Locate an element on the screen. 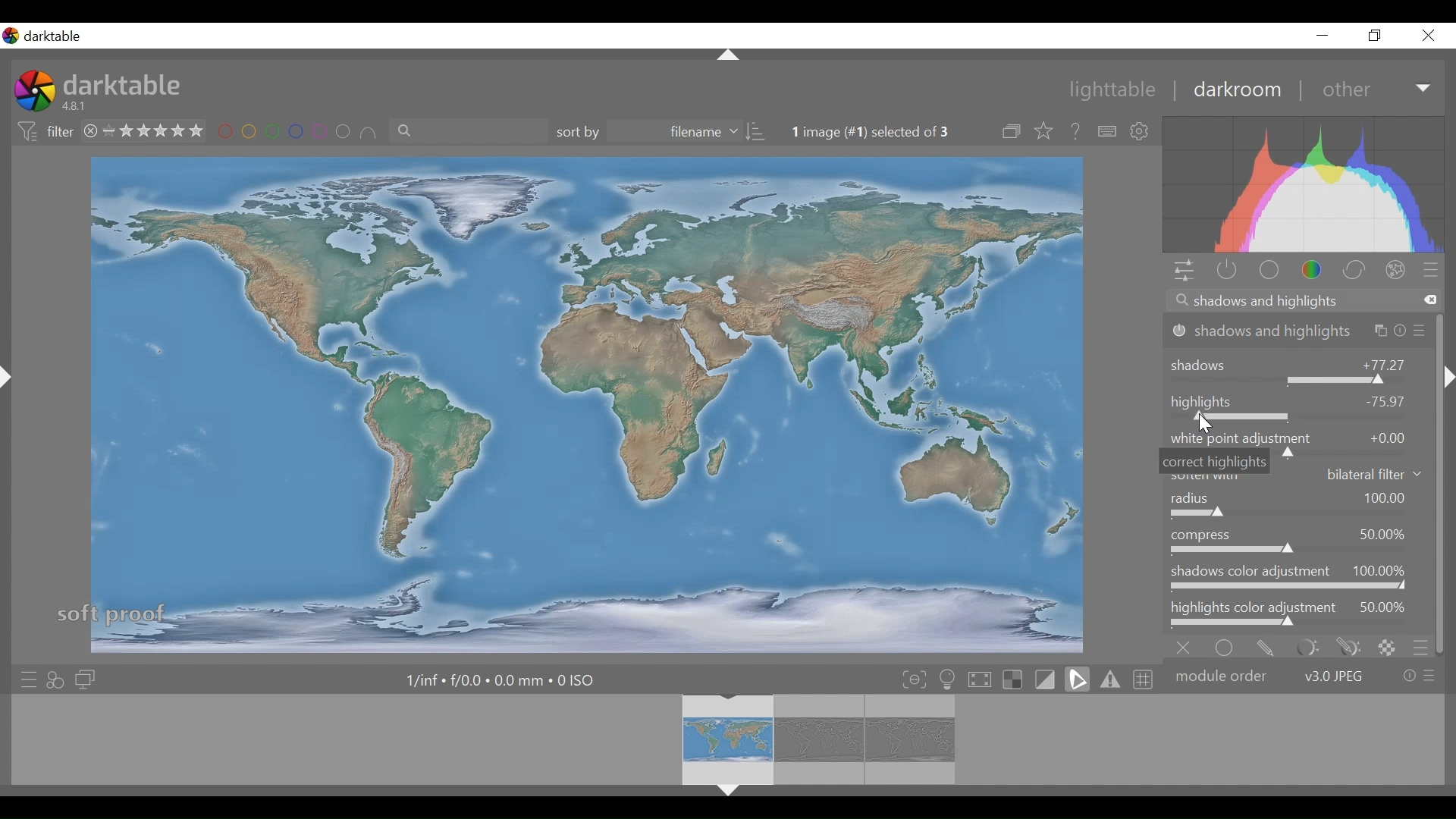  image selected out of is located at coordinates (884, 132).